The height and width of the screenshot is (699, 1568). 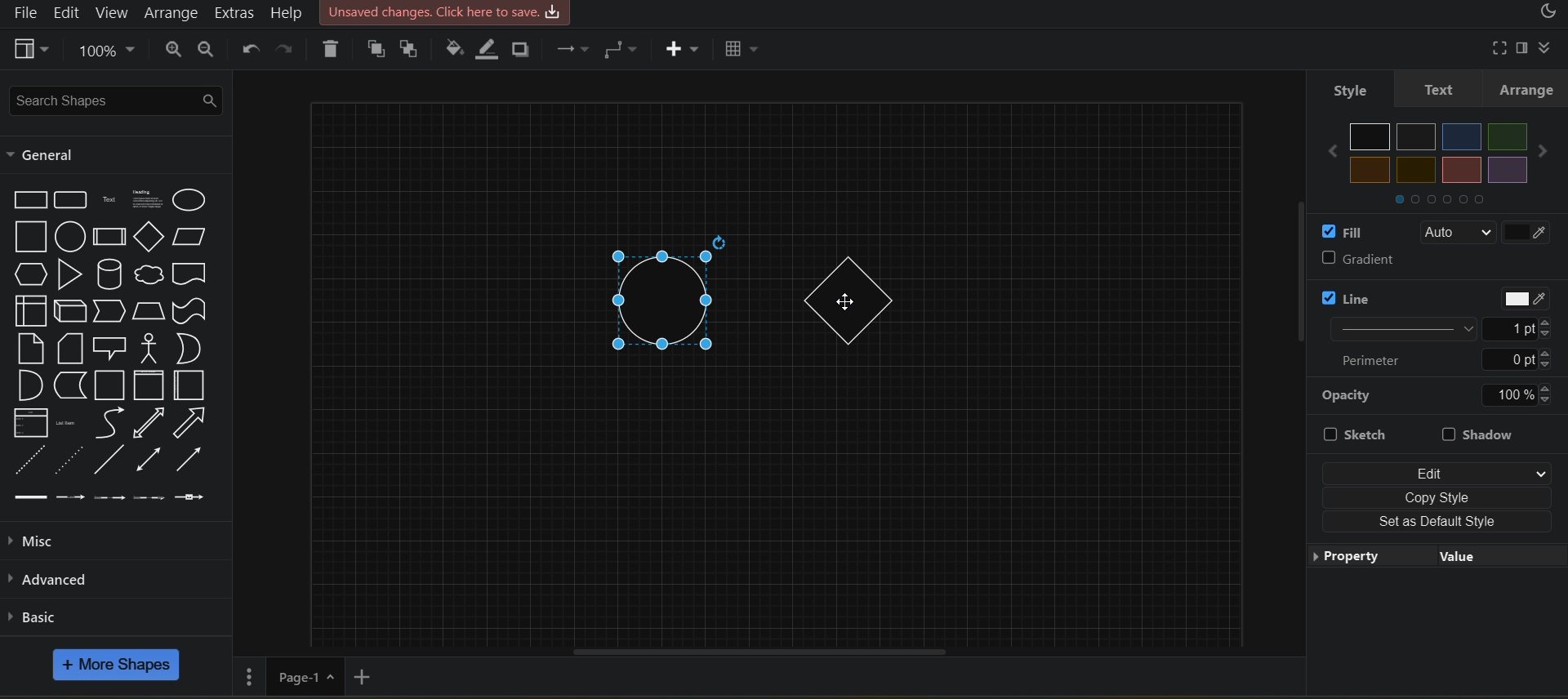 What do you see at coordinates (191, 199) in the screenshot?
I see `Ellipse` at bounding box center [191, 199].